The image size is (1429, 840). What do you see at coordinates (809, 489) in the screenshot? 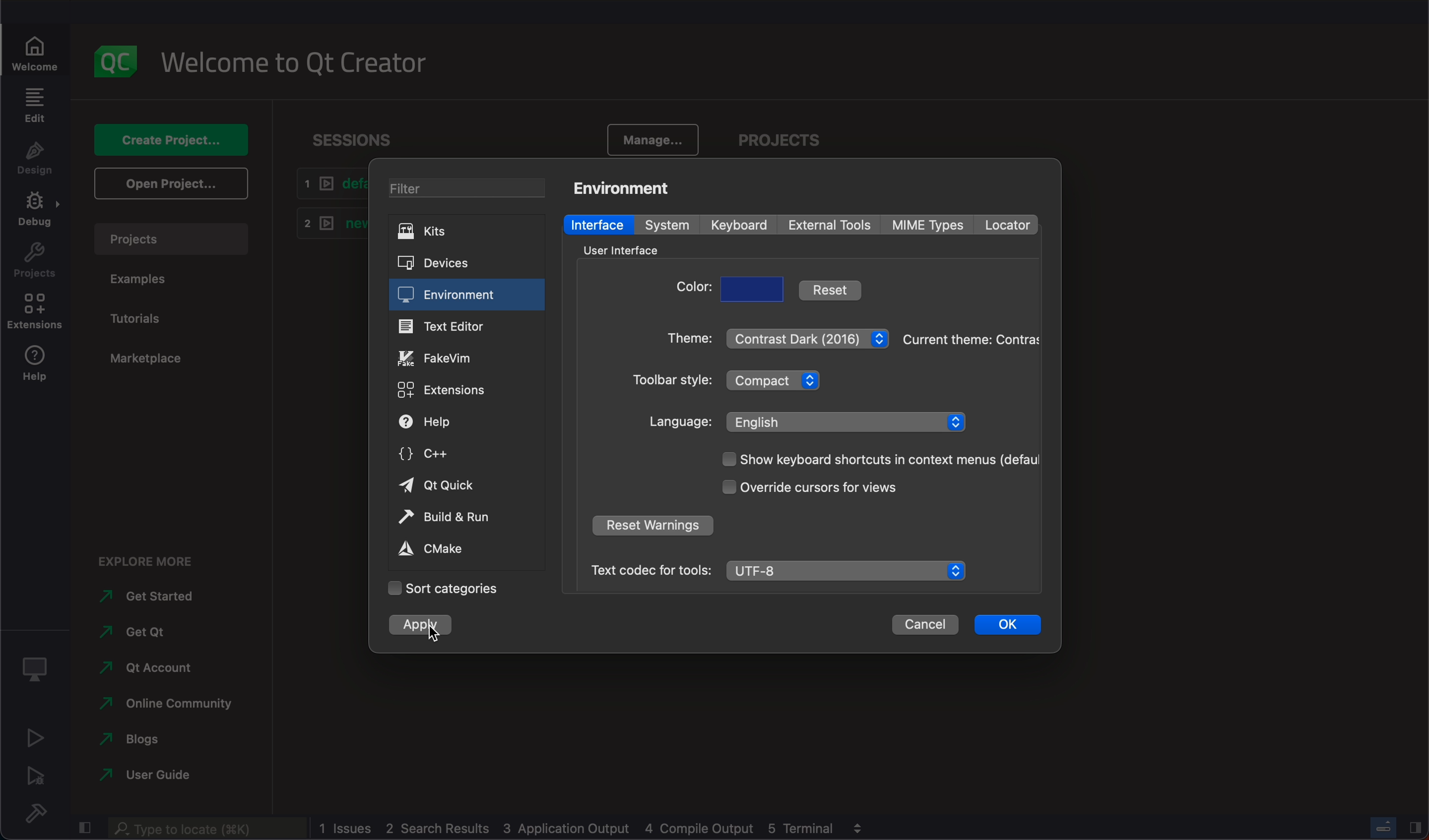
I see `cursor` at bounding box center [809, 489].